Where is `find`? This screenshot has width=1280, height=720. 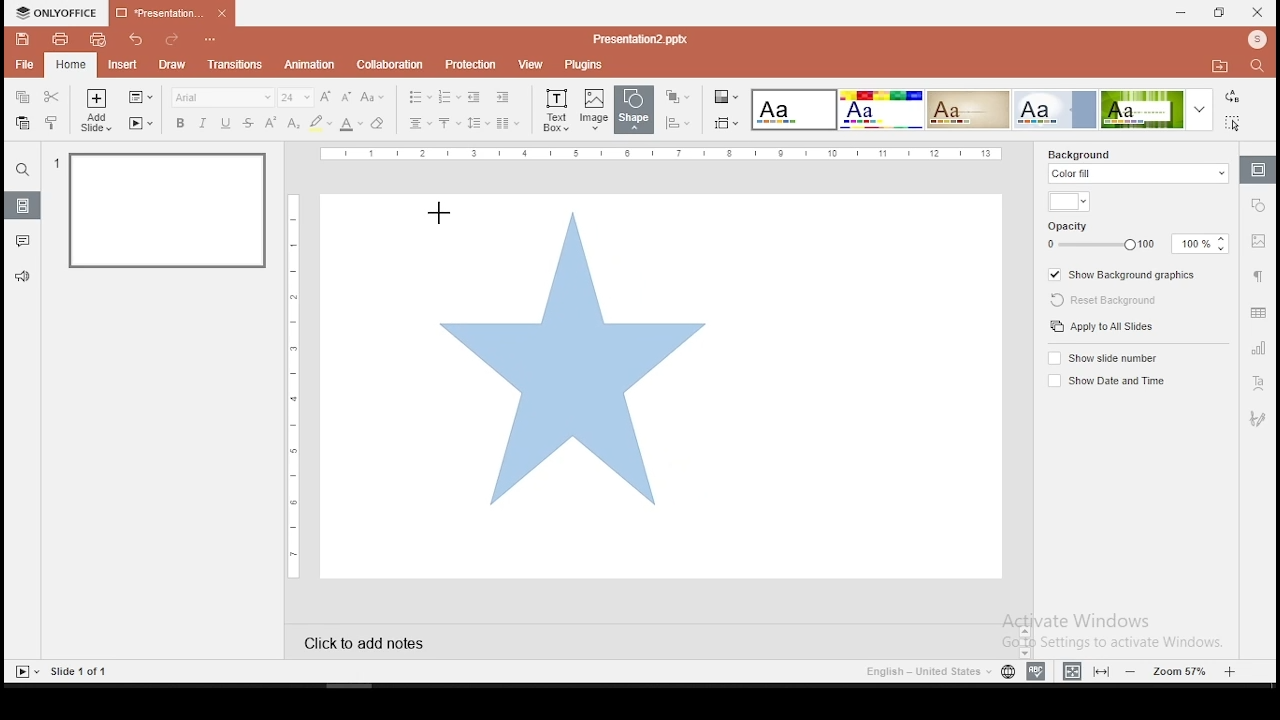 find is located at coordinates (1261, 68).